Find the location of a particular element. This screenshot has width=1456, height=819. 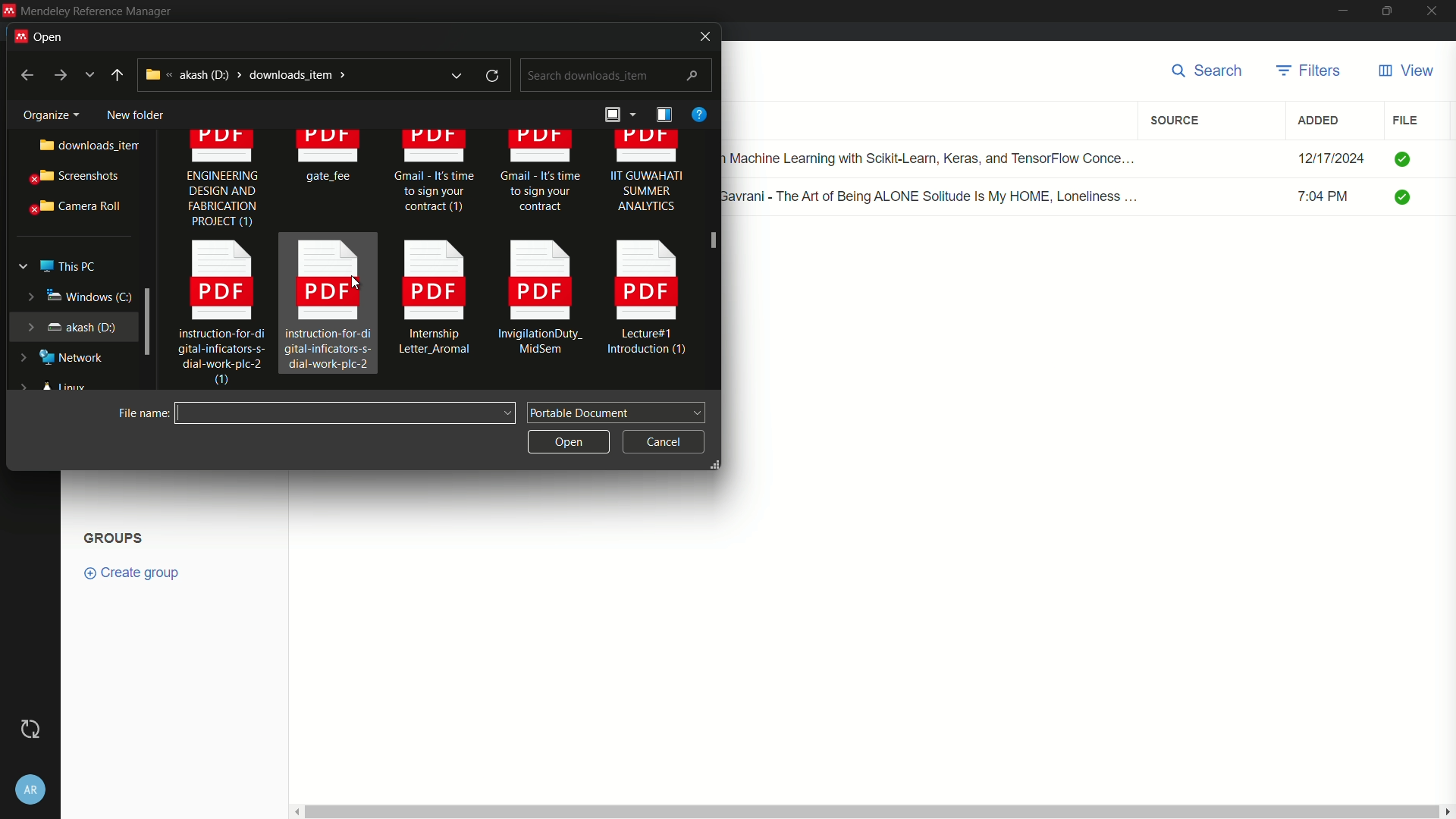

scroll left is located at coordinates (294, 811).